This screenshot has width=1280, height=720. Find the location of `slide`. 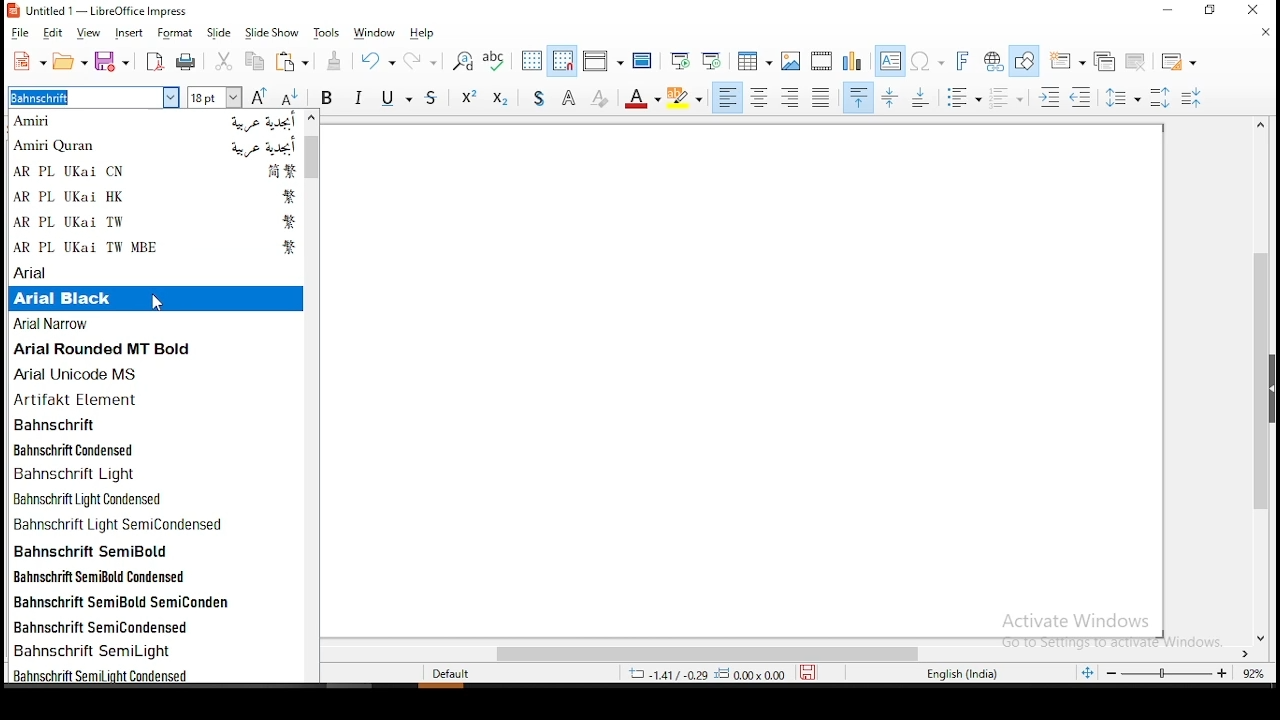

slide is located at coordinates (218, 30).